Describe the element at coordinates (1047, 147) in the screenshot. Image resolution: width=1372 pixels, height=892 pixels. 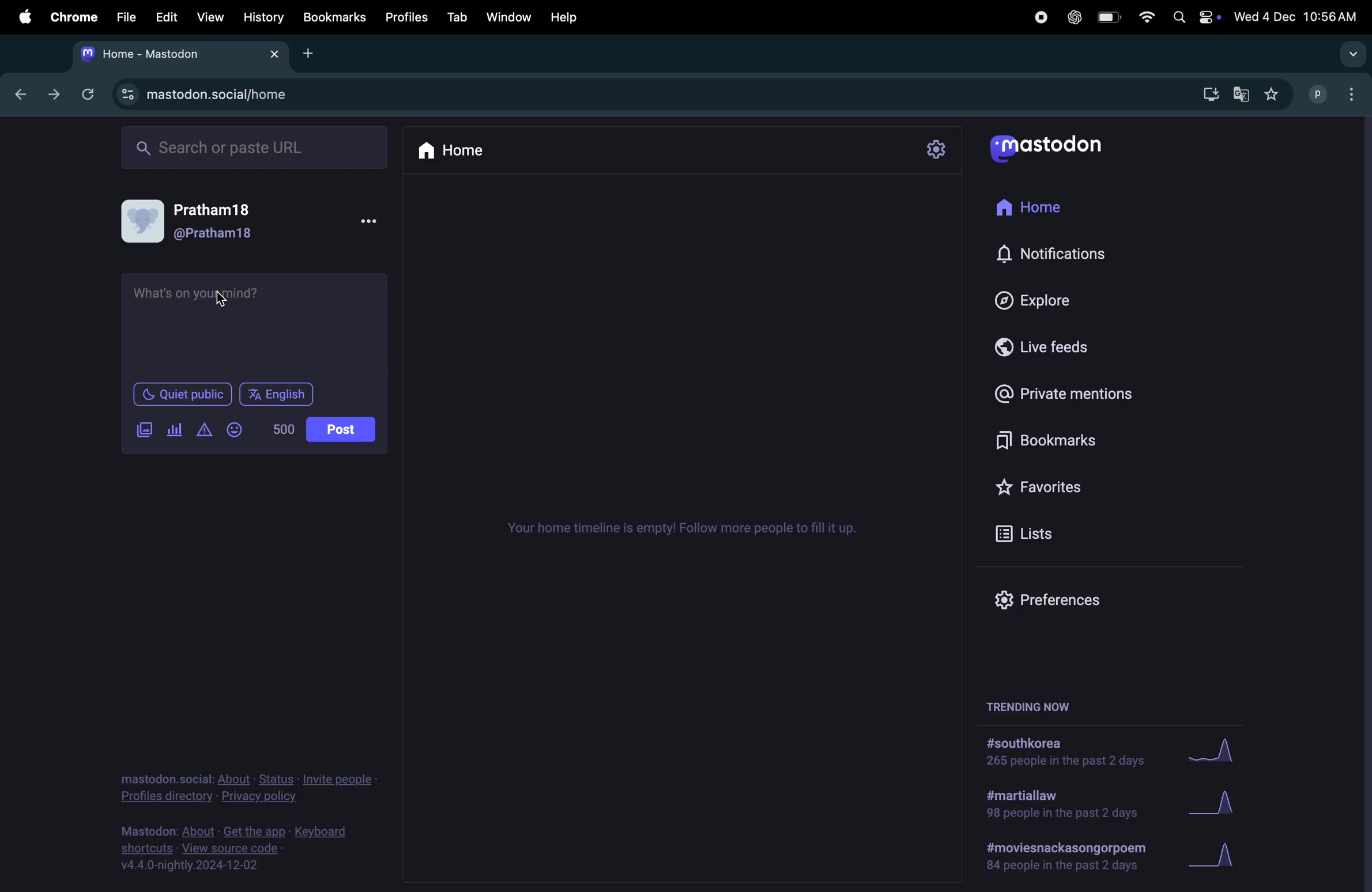
I see `mastodon` at that location.